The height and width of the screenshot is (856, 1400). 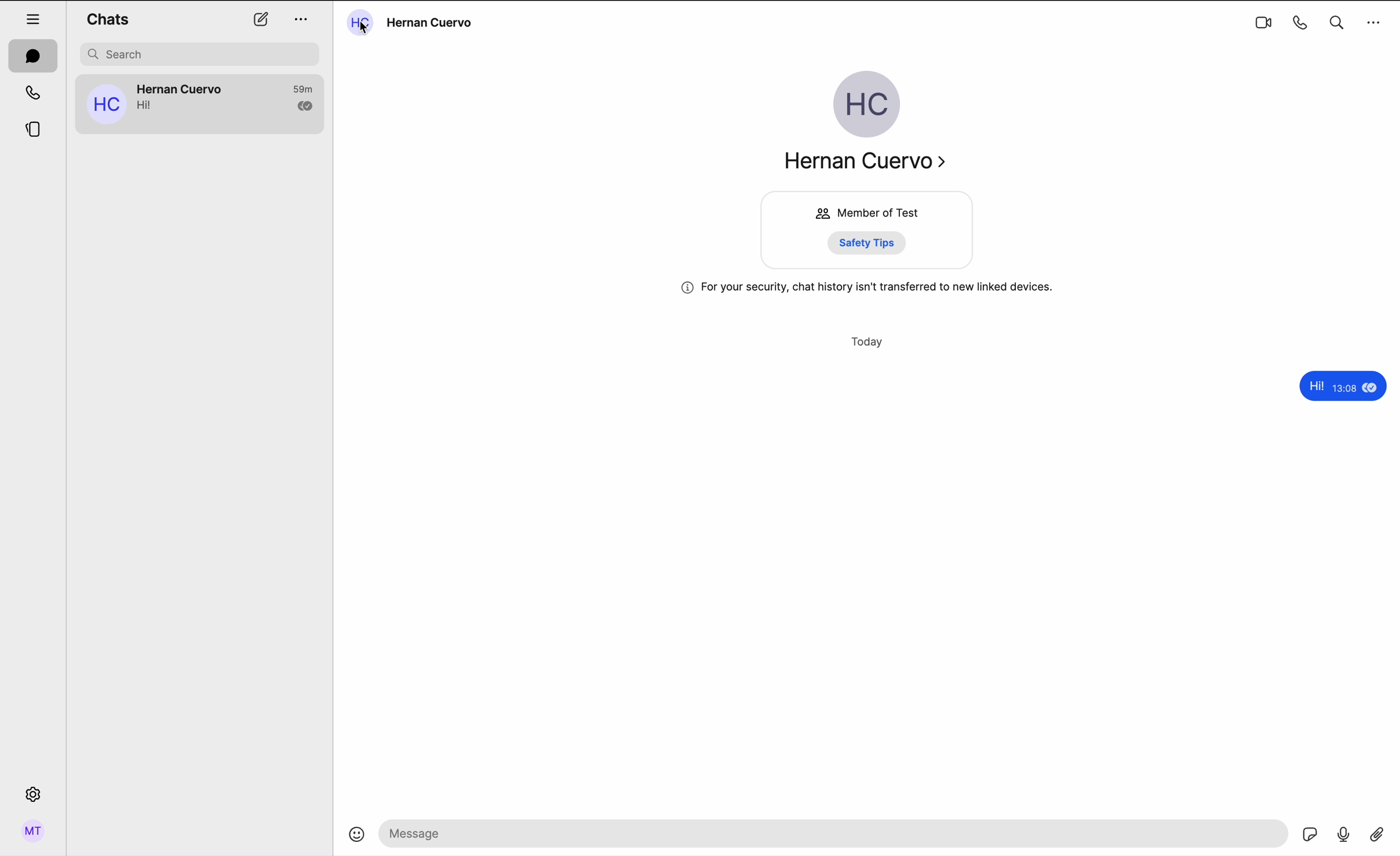 What do you see at coordinates (1313, 838) in the screenshot?
I see `gif` at bounding box center [1313, 838].